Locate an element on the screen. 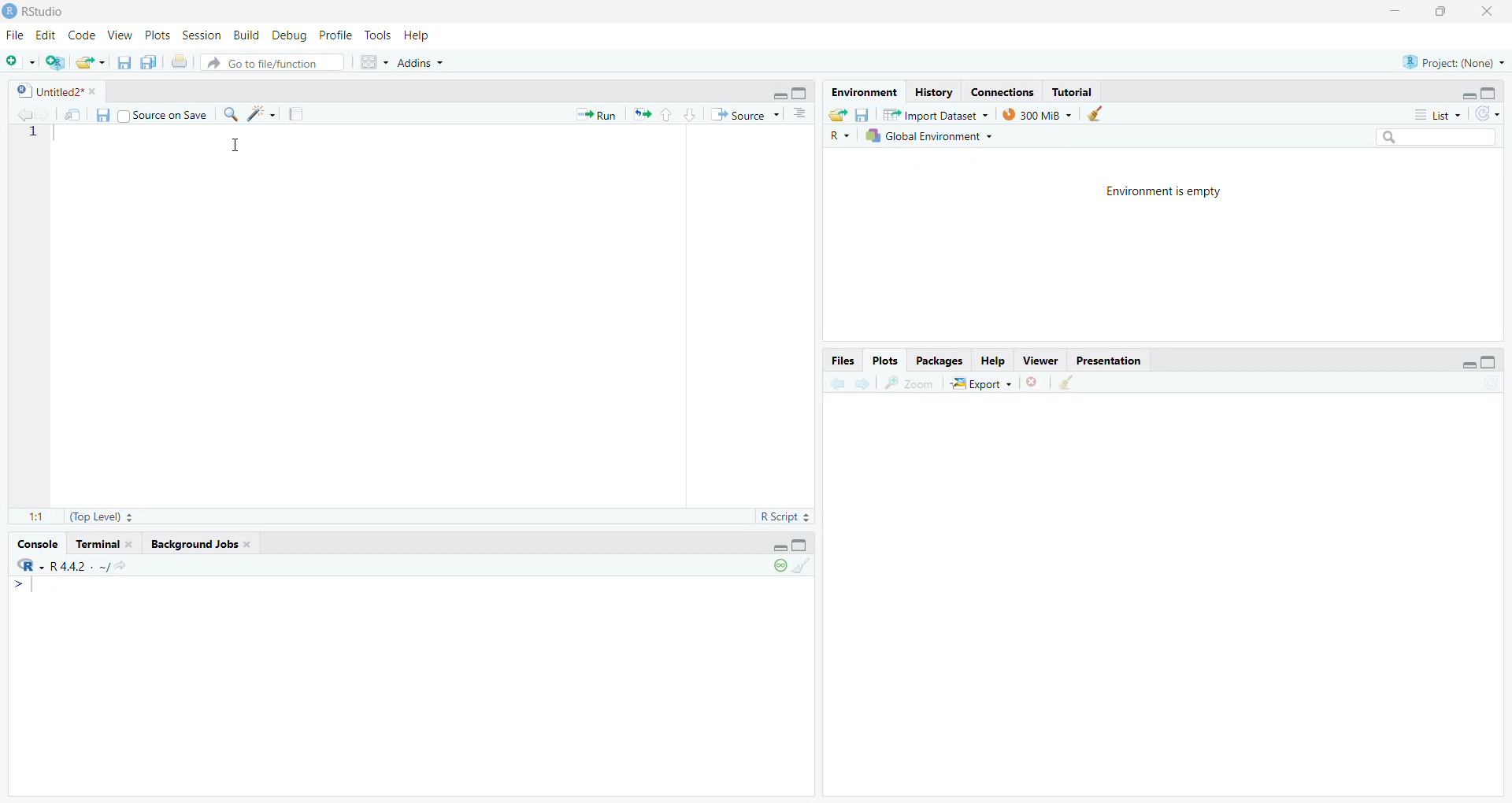  1 is located at coordinates (31, 135).